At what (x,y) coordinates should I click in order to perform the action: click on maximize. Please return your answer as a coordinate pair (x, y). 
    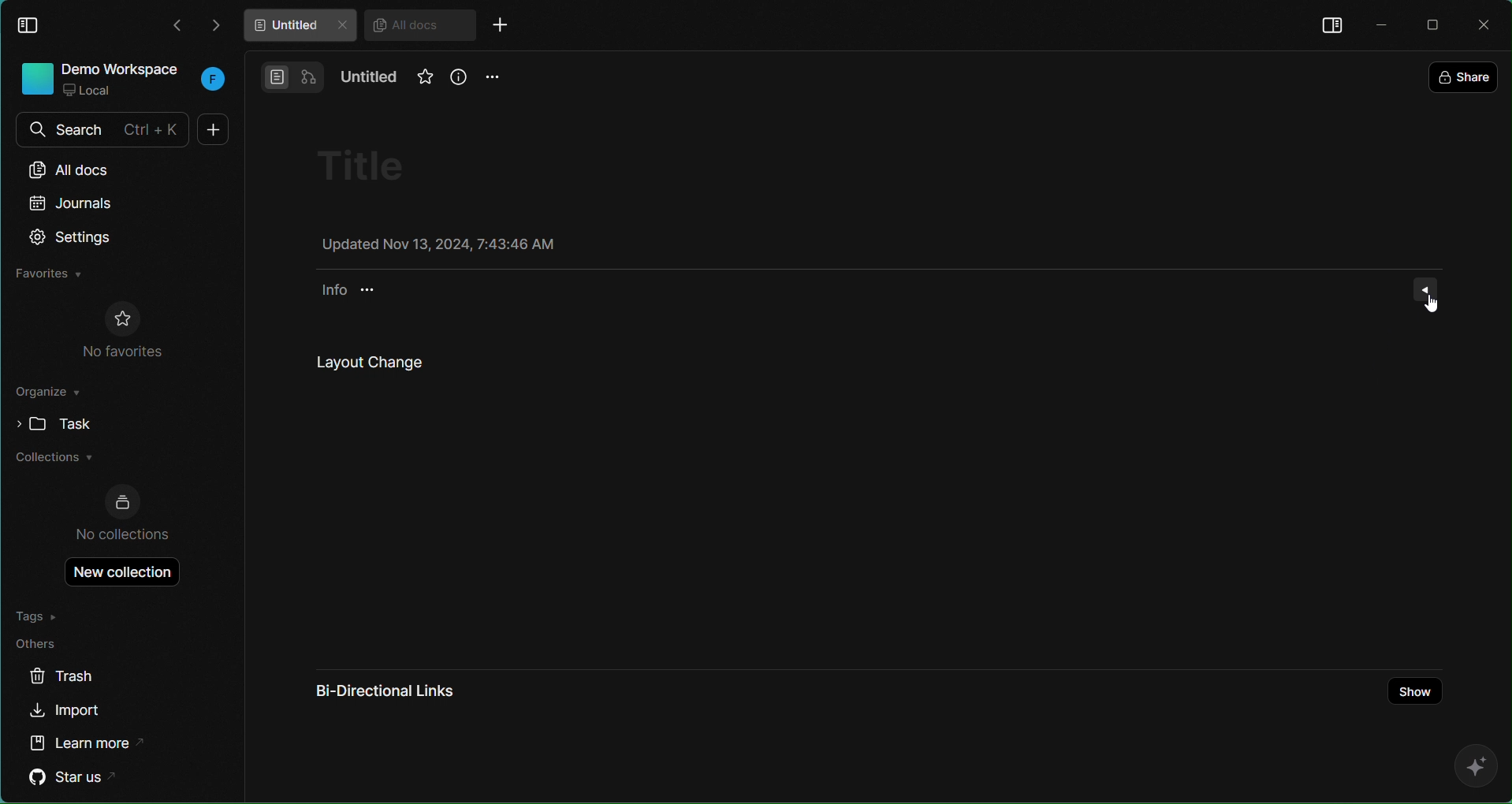
    Looking at the image, I should click on (1436, 24).